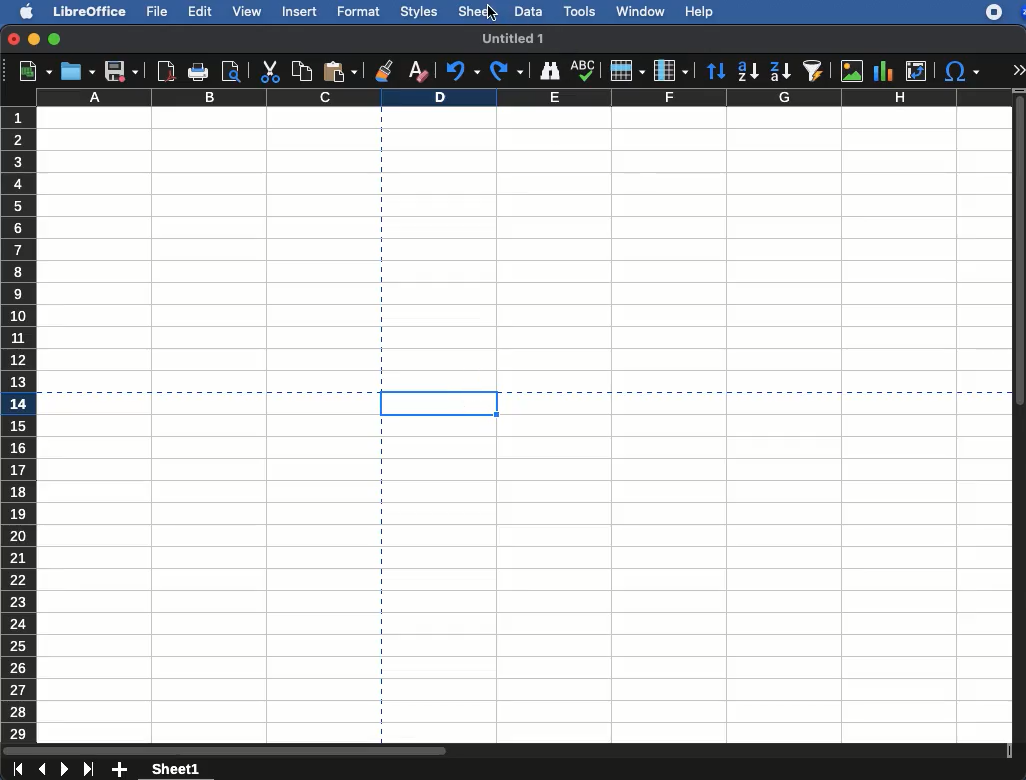 The image size is (1026, 780). What do you see at coordinates (17, 770) in the screenshot?
I see `last sheet` at bounding box center [17, 770].